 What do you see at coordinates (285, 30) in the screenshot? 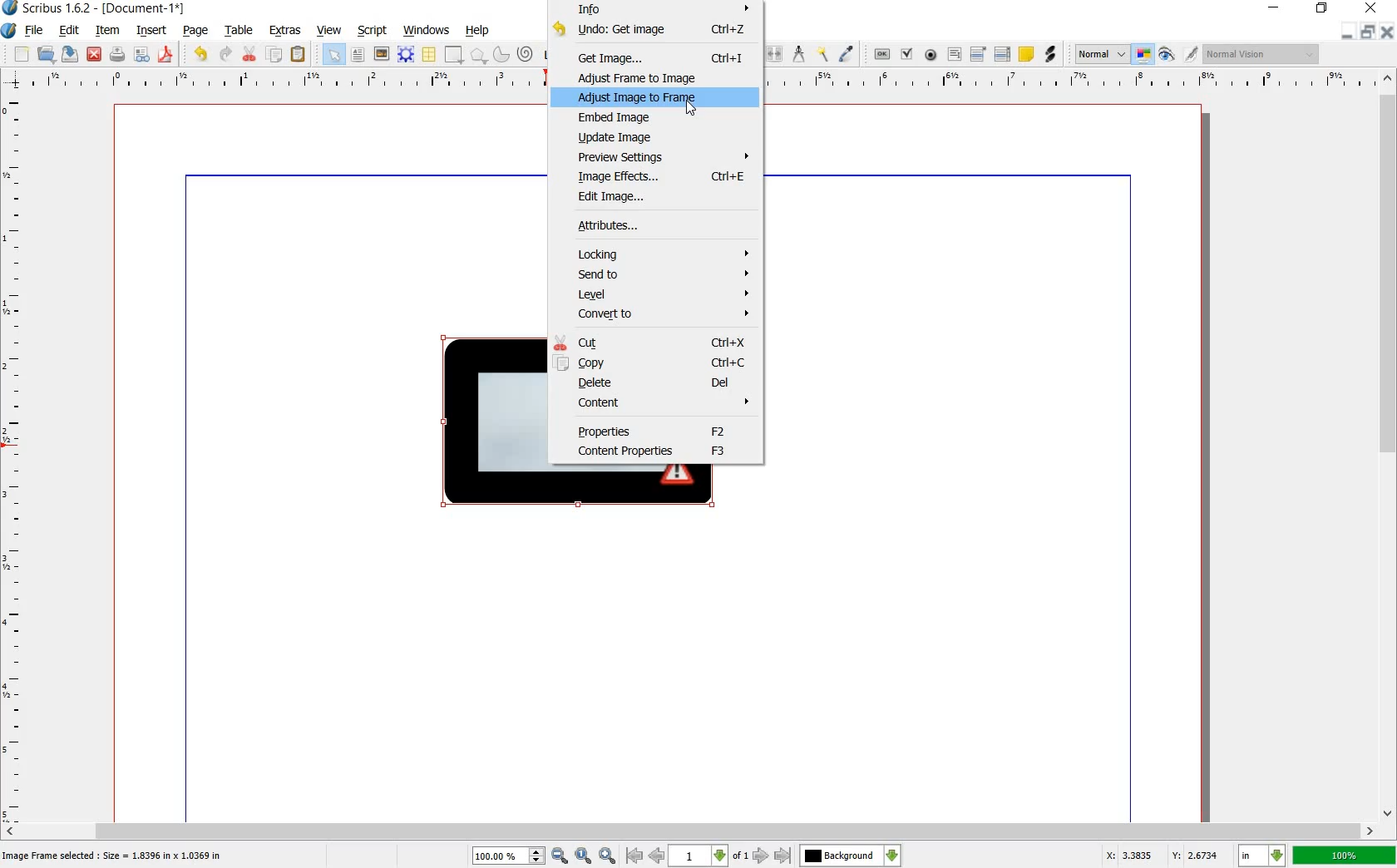
I see `extras` at bounding box center [285, 30].